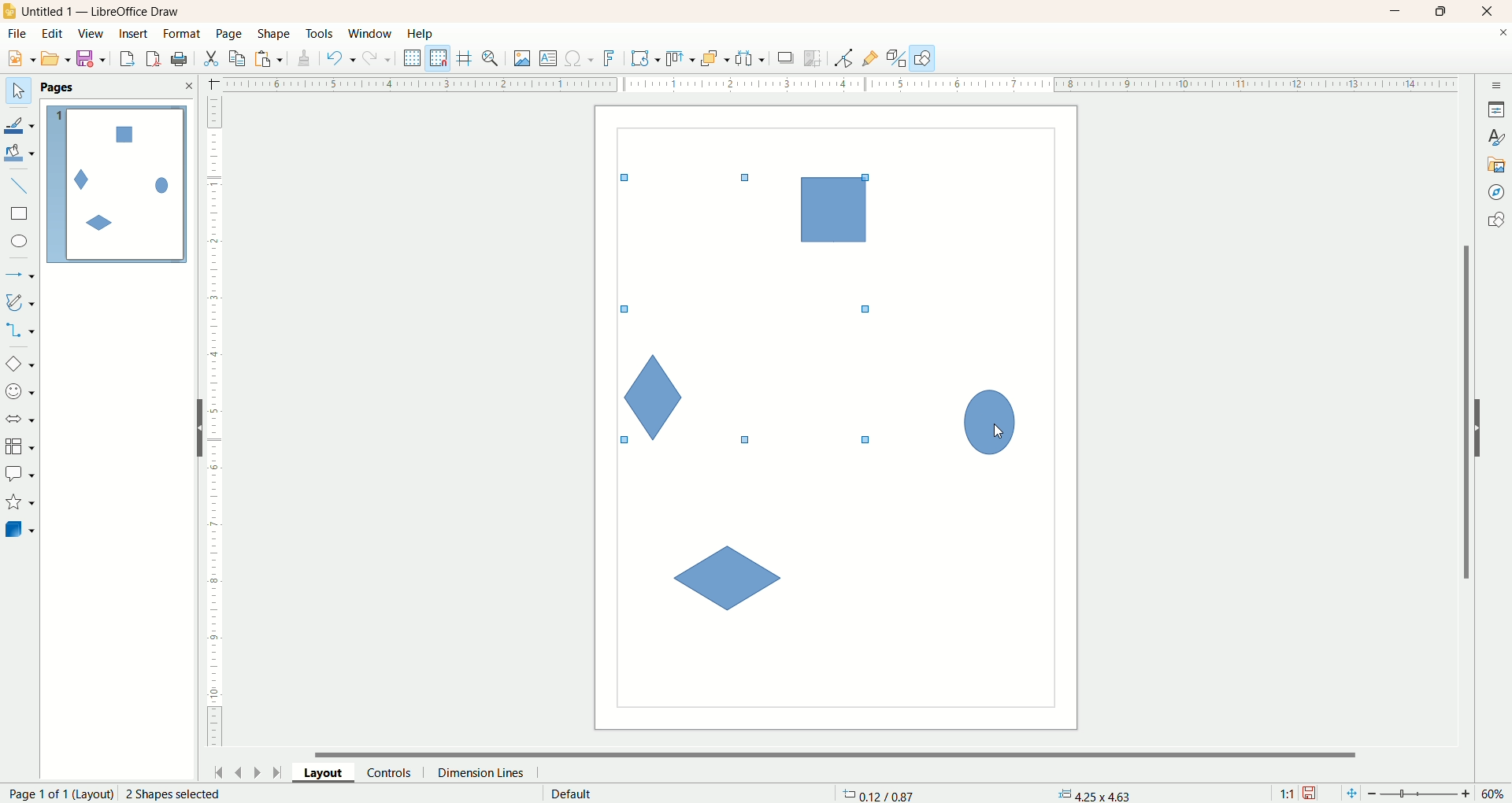 The image size is (1512, 803). Describe the element at coordinates (21, 302) in the screenshot. I see `curves and polygon` at that location.